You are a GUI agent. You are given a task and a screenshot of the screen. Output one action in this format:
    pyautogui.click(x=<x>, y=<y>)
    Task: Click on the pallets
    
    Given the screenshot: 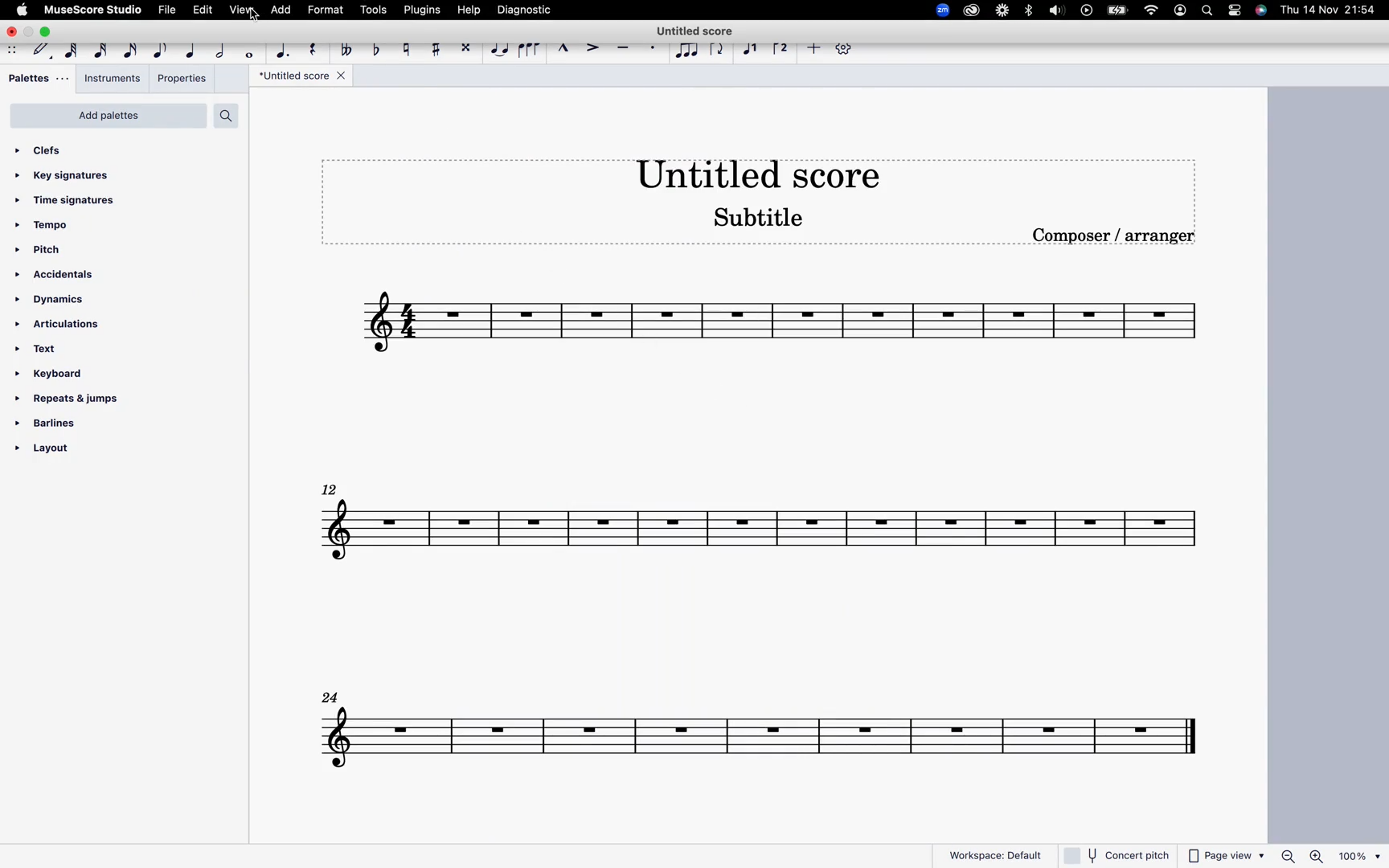 What is the action you would take?
    pyautogui.click(x=38, y=78)
    